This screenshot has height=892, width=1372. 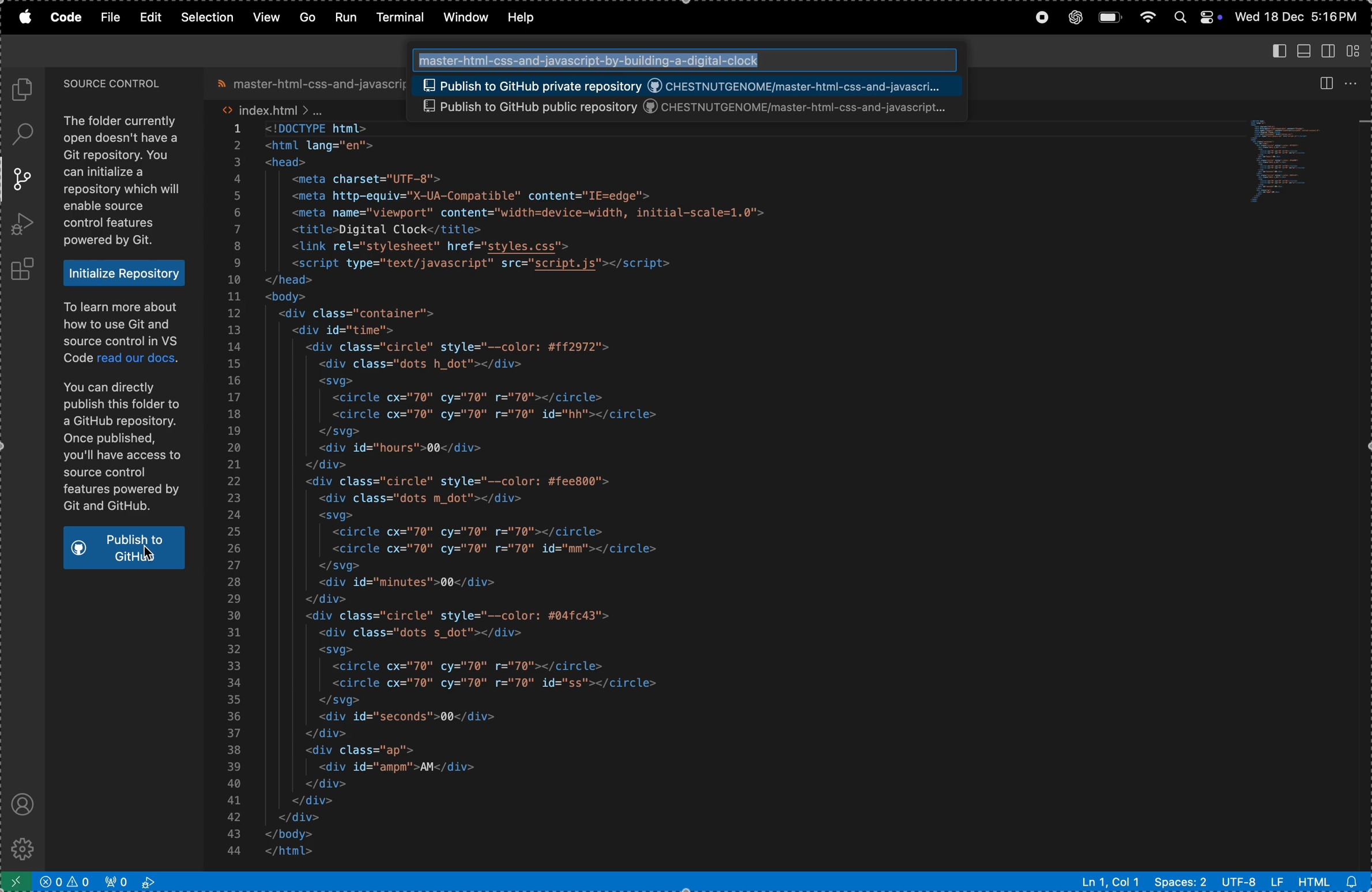 What do you see at coordinates (477, 197) in the screenshot?
I see `<meta http-equiv="X-UA-Compatible" content="IE=edge">` at bounding box center [477, 197].